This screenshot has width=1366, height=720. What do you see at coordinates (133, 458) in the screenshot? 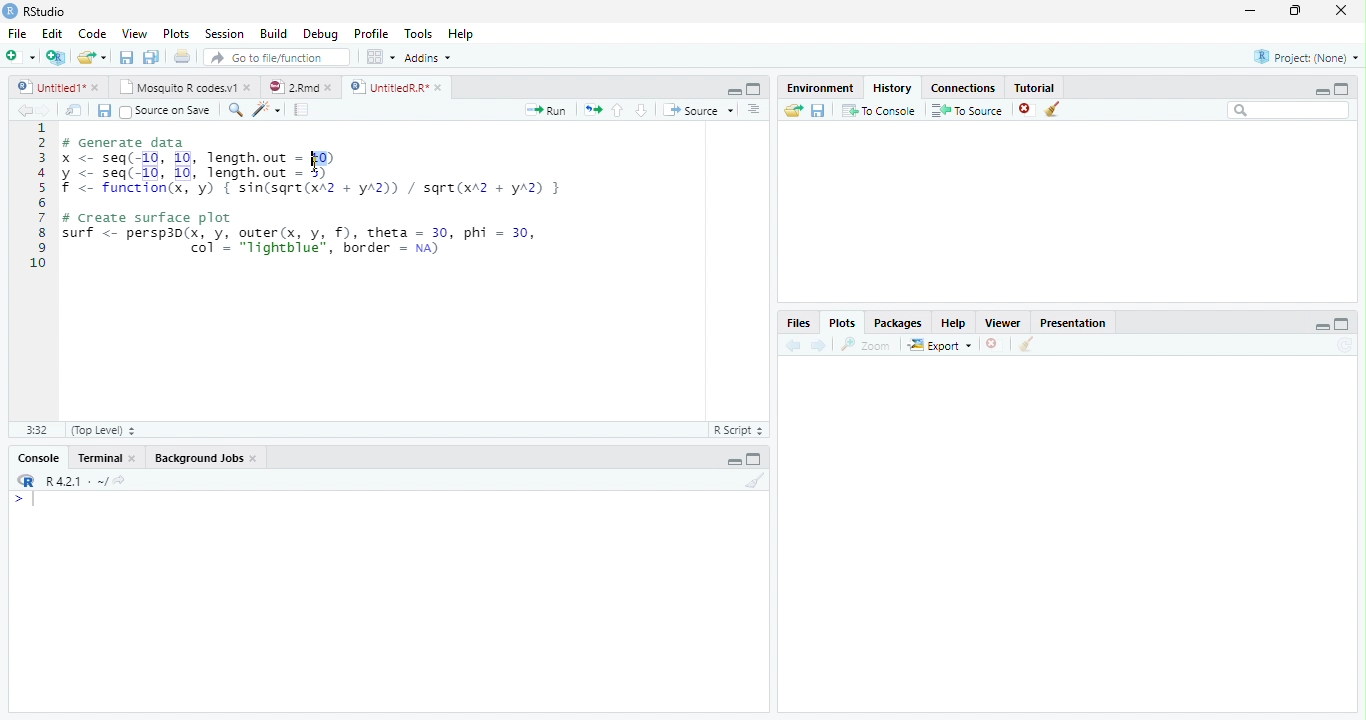
I see `Close` at bounding box center [133, 458].